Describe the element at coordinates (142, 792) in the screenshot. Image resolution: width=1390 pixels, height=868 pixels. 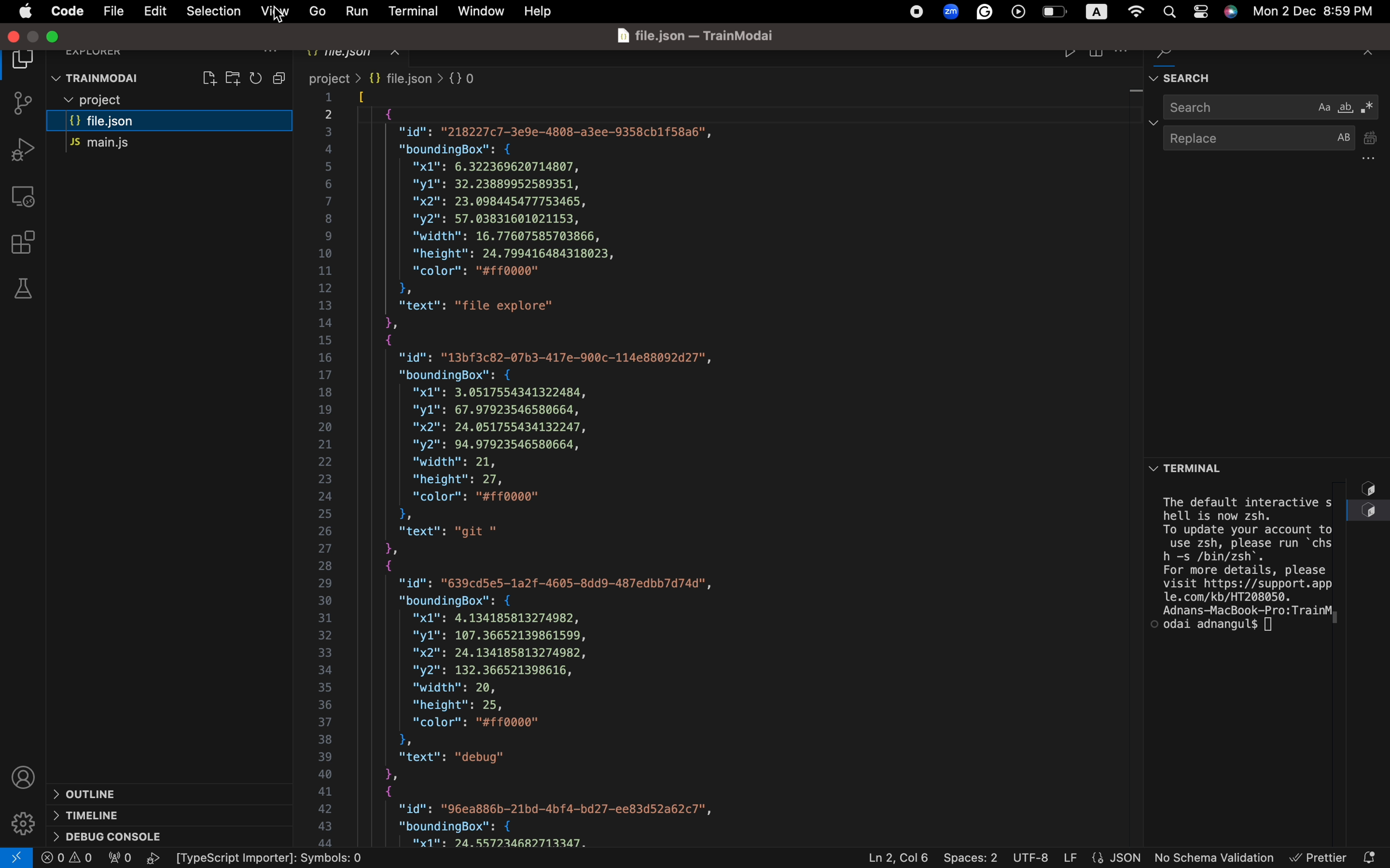
I see `outline` at that location.